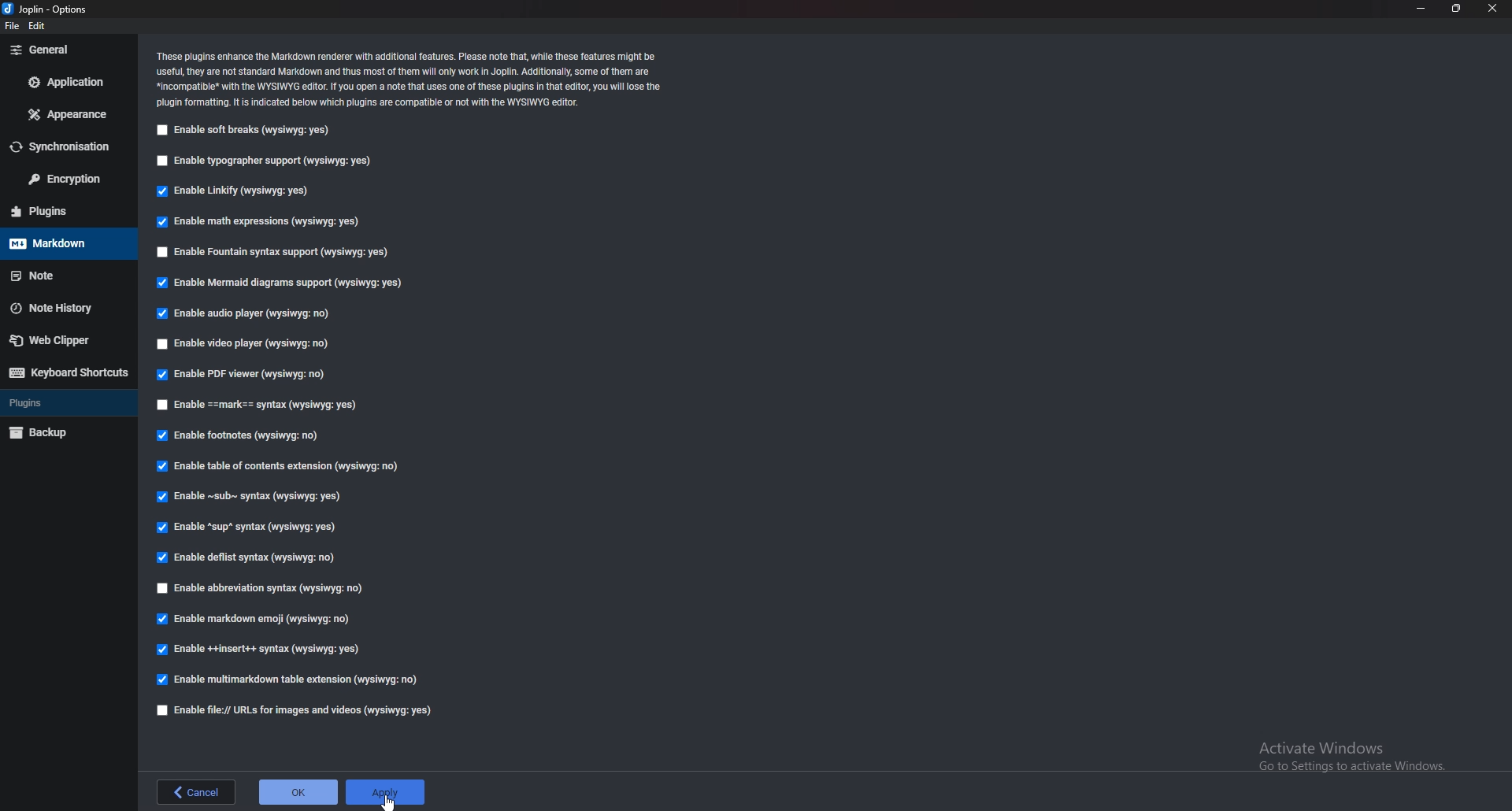 The height and width of the screenshot is (811, 1512). I want to click on enable markdown emoji (wysiqyg:no), so click(251, 620).